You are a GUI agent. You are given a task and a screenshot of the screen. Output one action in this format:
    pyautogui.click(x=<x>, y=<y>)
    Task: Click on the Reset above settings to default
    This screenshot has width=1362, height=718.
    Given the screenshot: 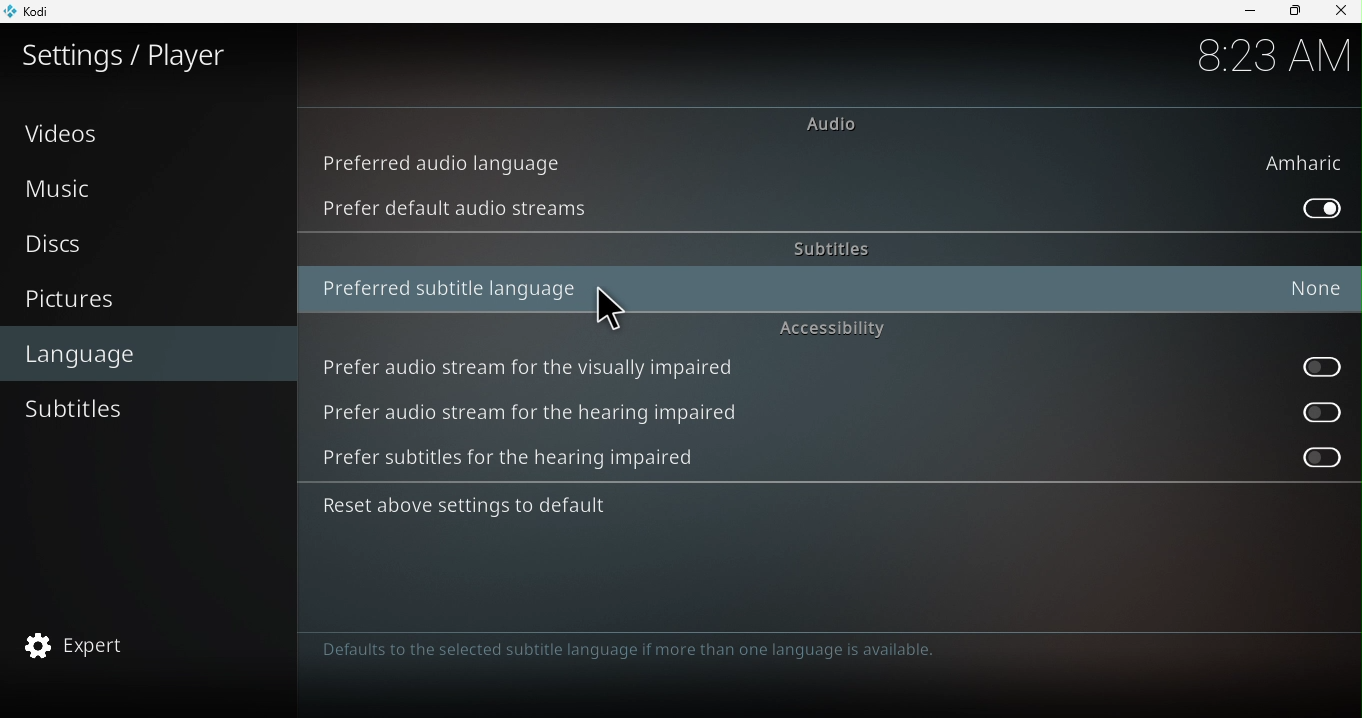 What is the action you would take?
    pyautogui.click(x=489, y=510)
    